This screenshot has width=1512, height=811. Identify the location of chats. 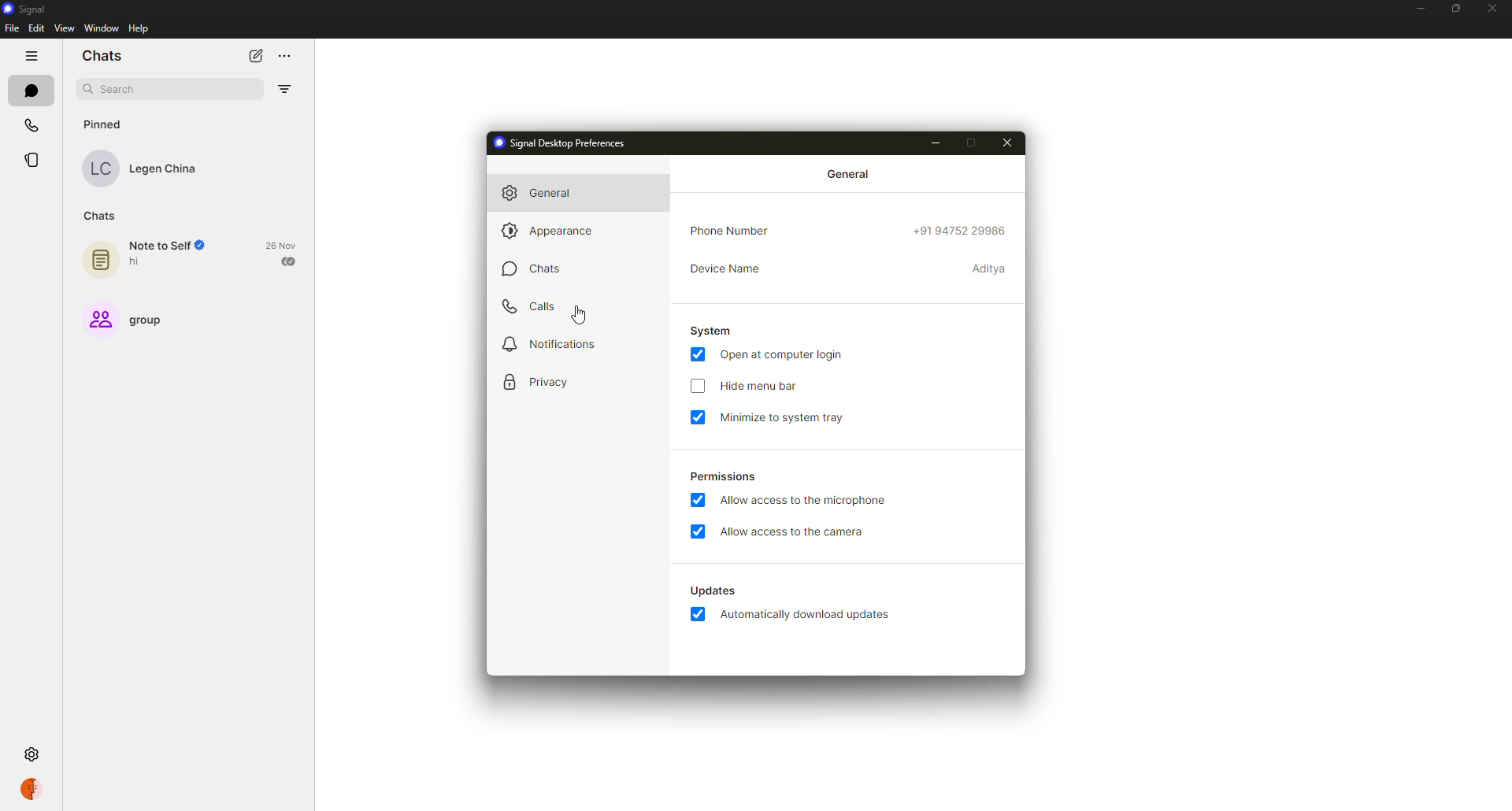
(30, 90).